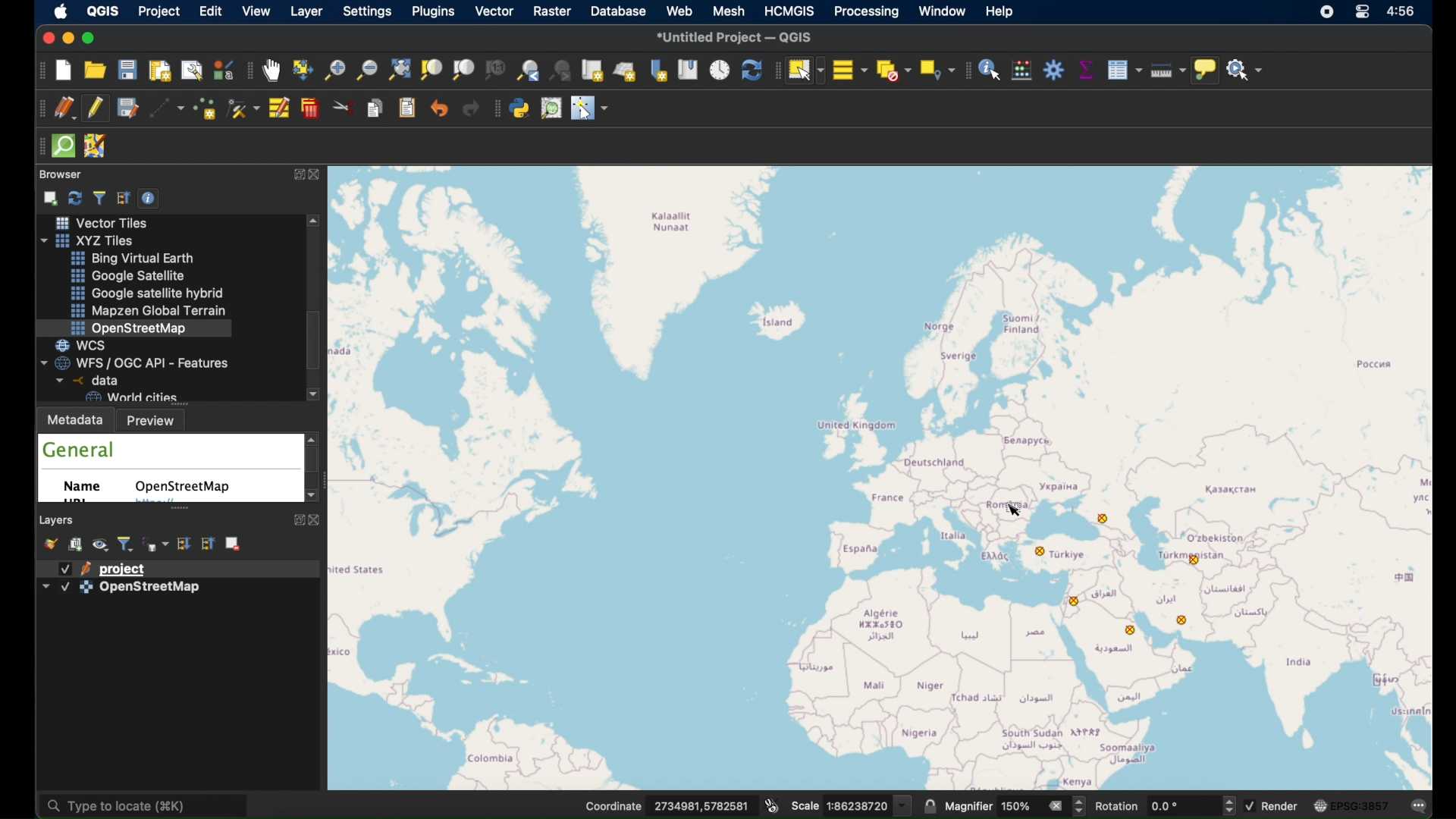 This screenshot has height=819, width=1456. Describe the element at coordinates (125, 568) in the screenshot. I see `project layer` at that location.